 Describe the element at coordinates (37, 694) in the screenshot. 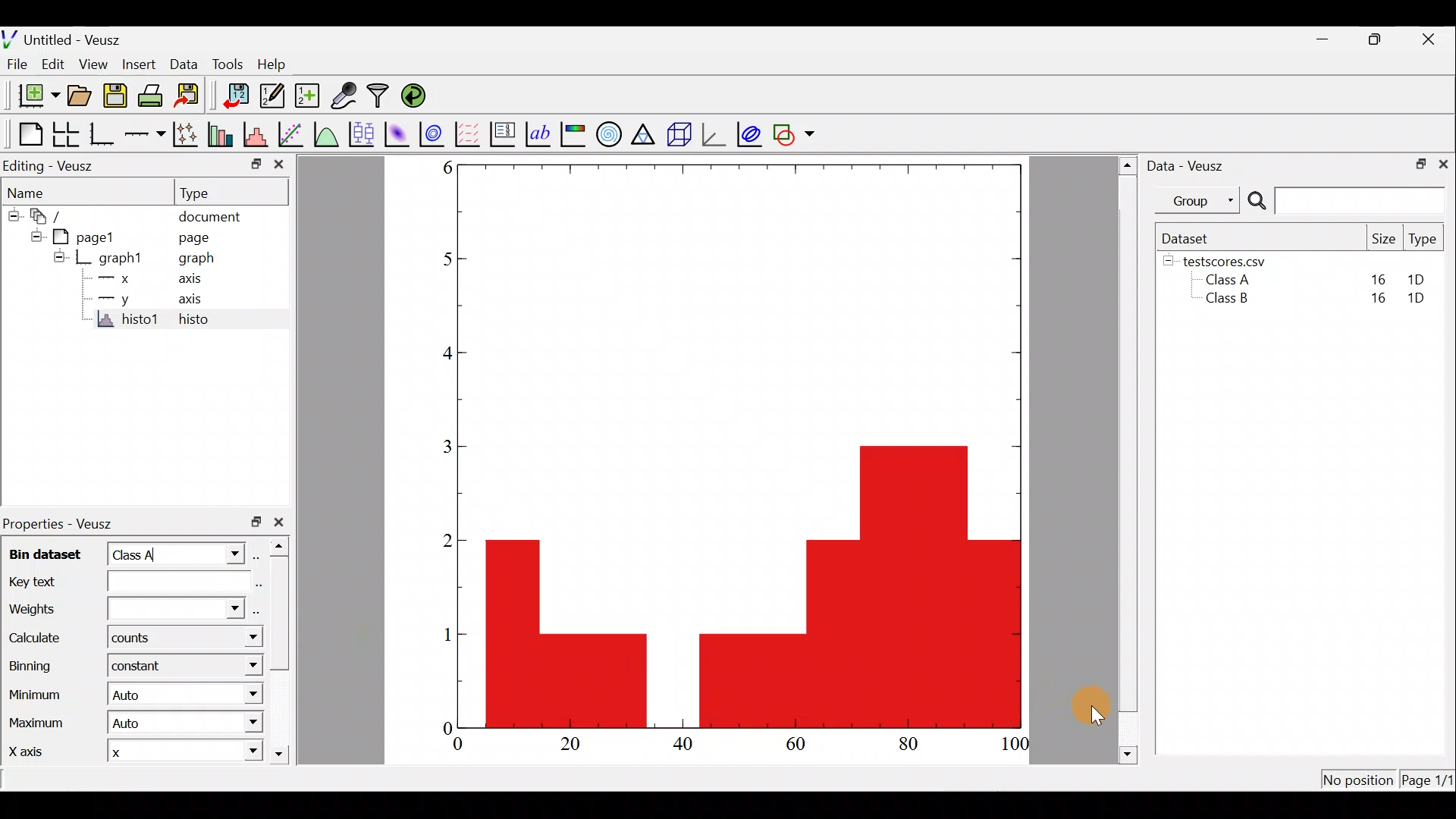

I see `Minimum` at that location.